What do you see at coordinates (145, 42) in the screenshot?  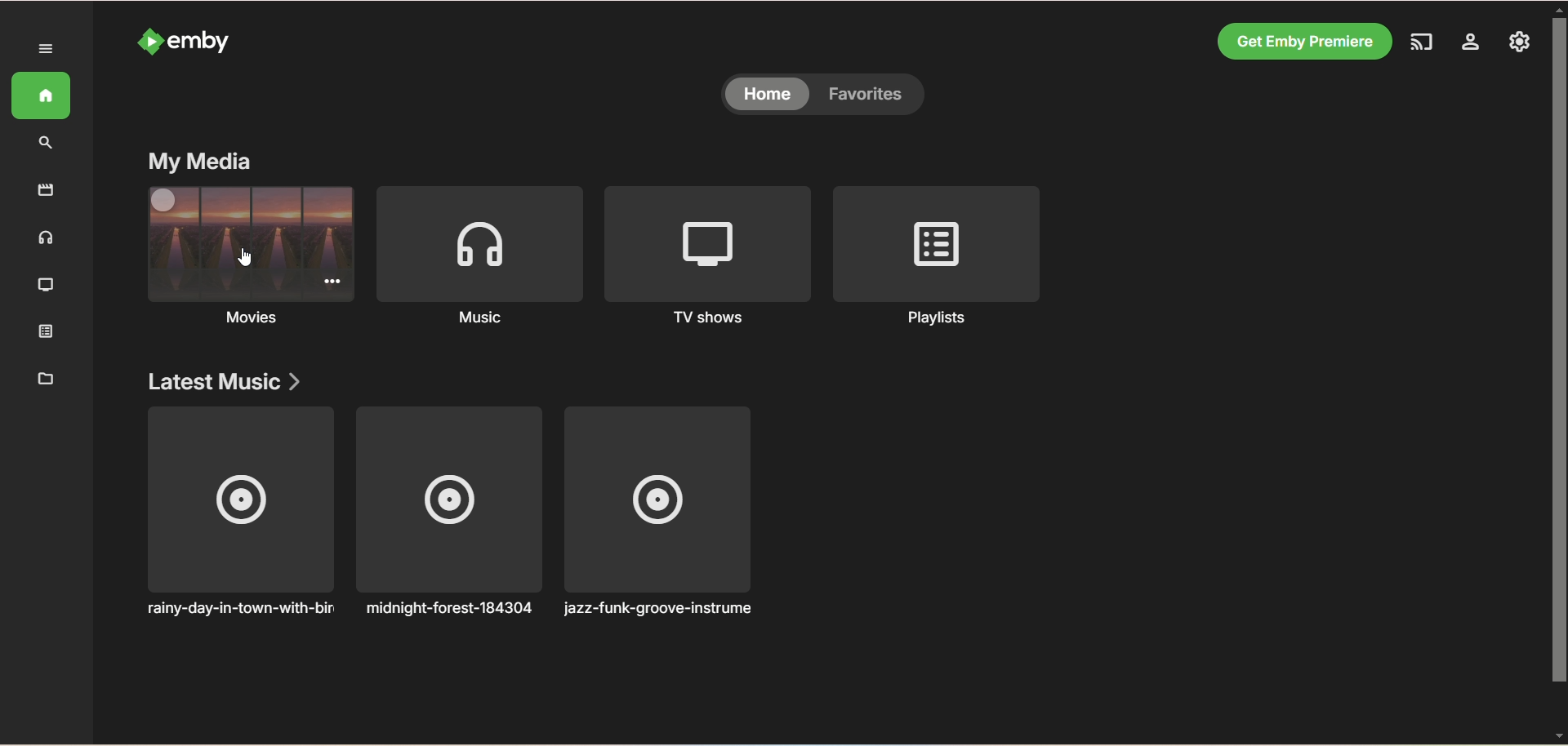 I see `emby logo` at bounding box center [145, 42].